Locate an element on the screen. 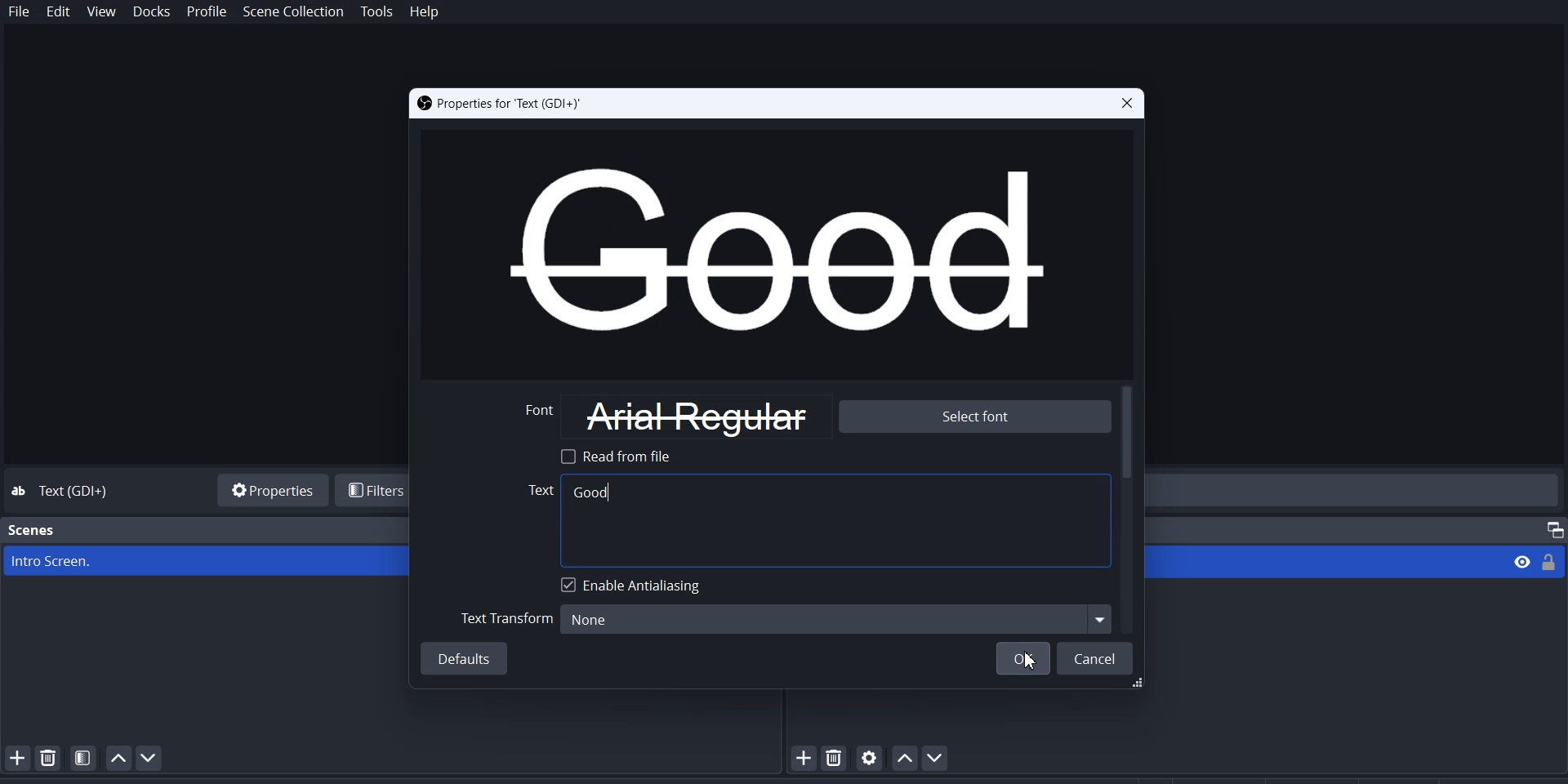  Text Transform is located at coordinates (506, 617).